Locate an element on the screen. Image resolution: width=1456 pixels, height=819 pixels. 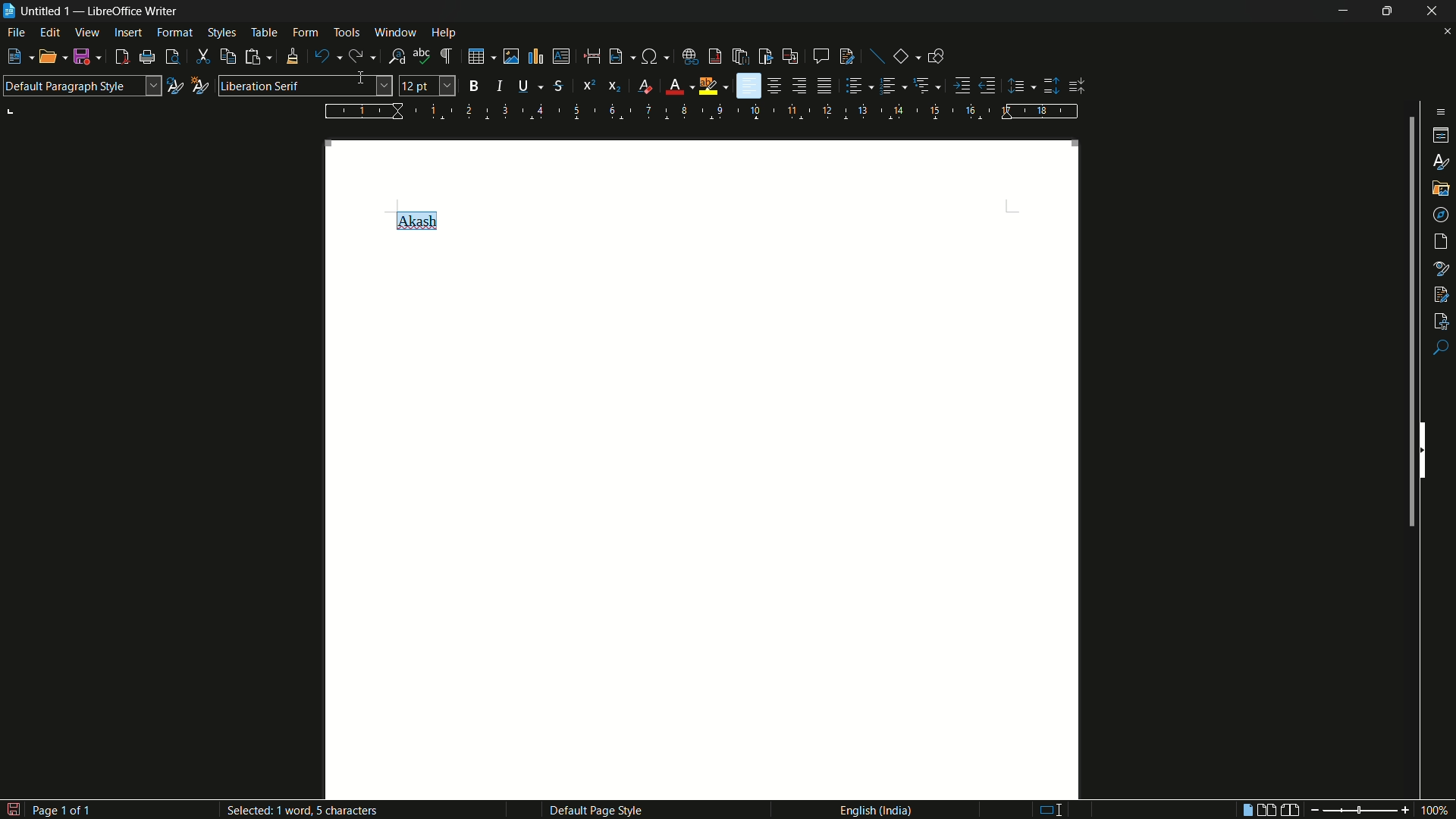
format menu is located at coordinates (174, 32).